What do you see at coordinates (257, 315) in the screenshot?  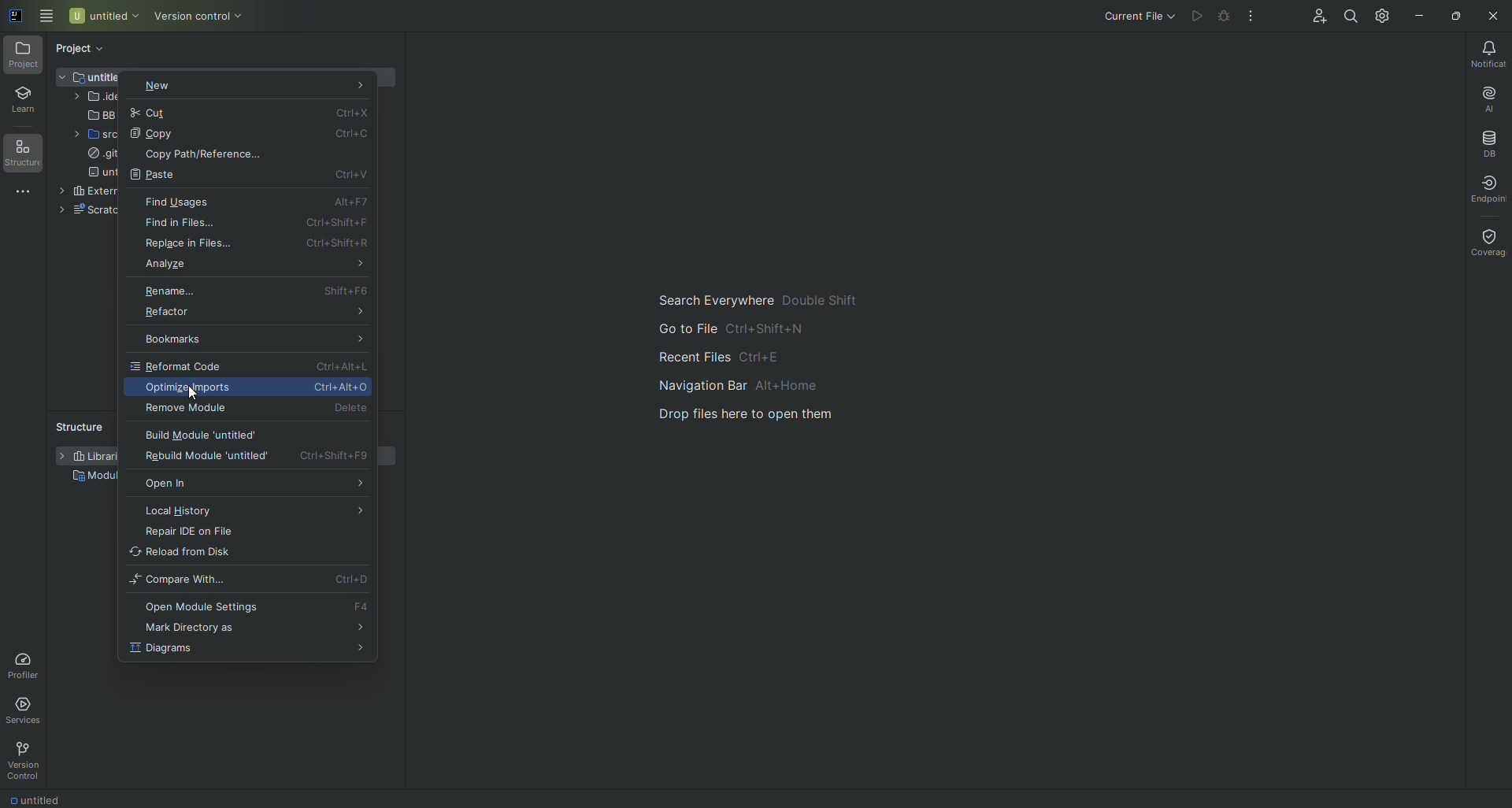 I see `Refactor` at bounding box center [257, 315].